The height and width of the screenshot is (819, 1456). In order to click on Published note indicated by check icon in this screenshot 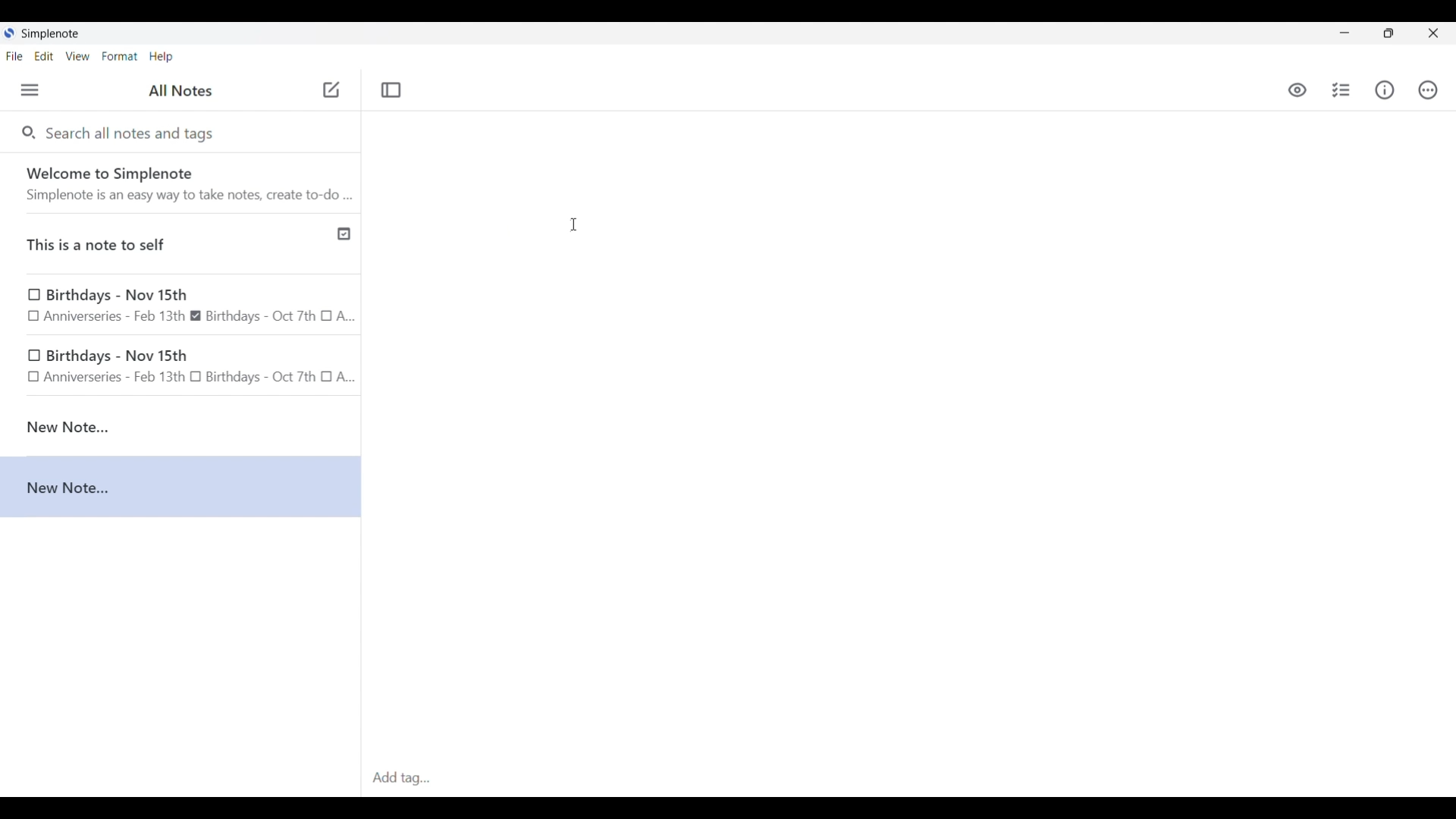, I will do `click(182, 244)`.